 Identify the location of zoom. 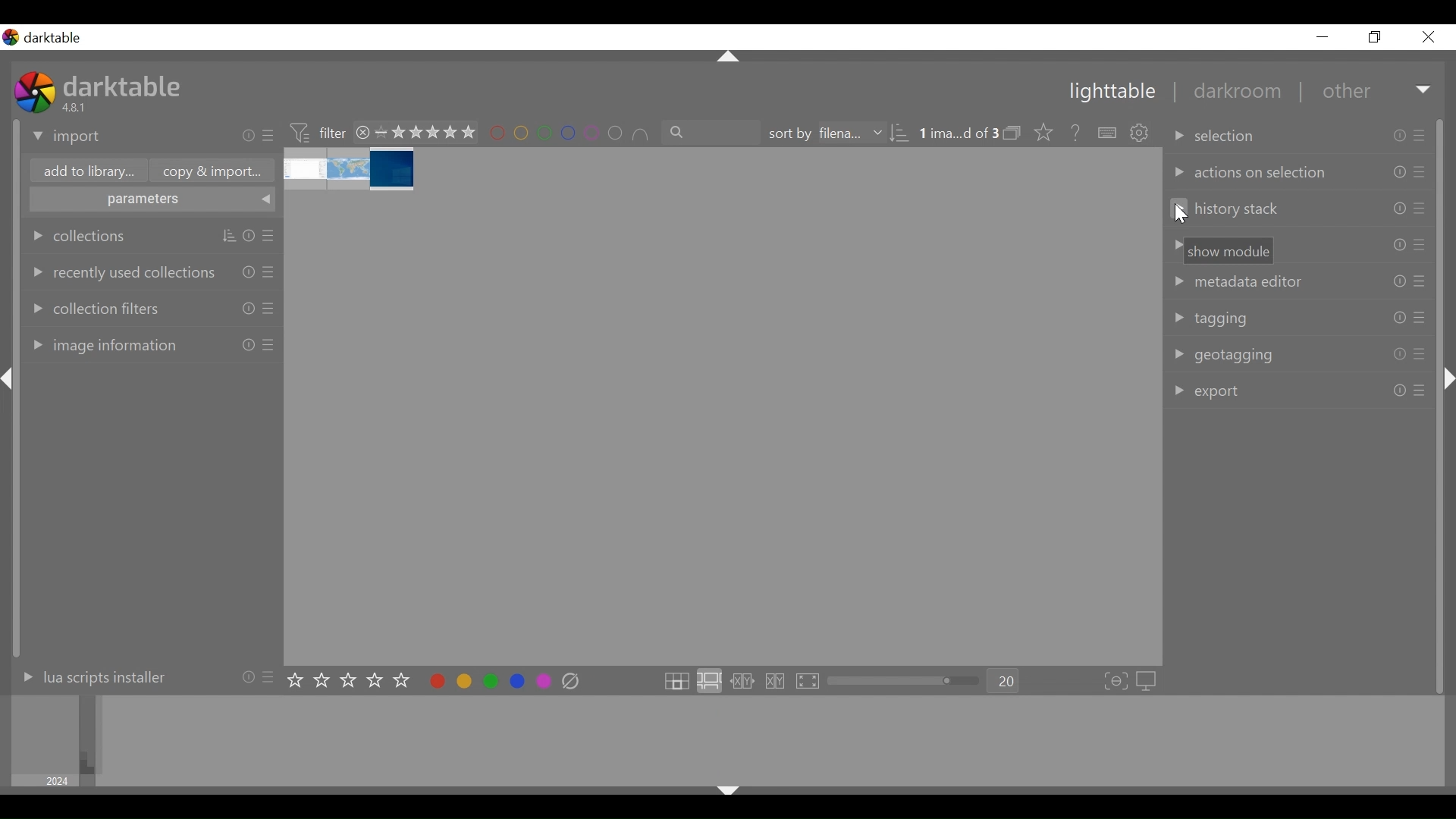
(904, 681).